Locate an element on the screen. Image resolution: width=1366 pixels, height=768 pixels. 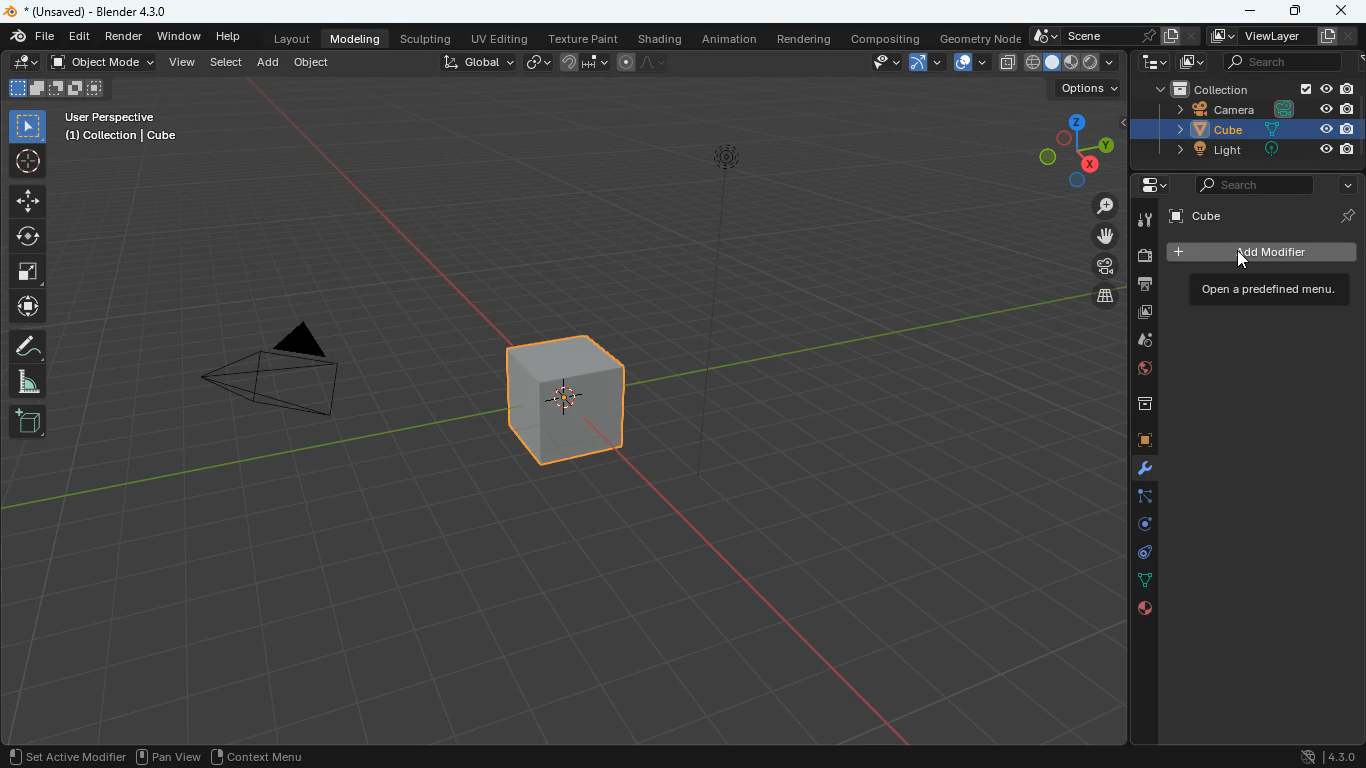
angle is located at coordinates (29, 382).